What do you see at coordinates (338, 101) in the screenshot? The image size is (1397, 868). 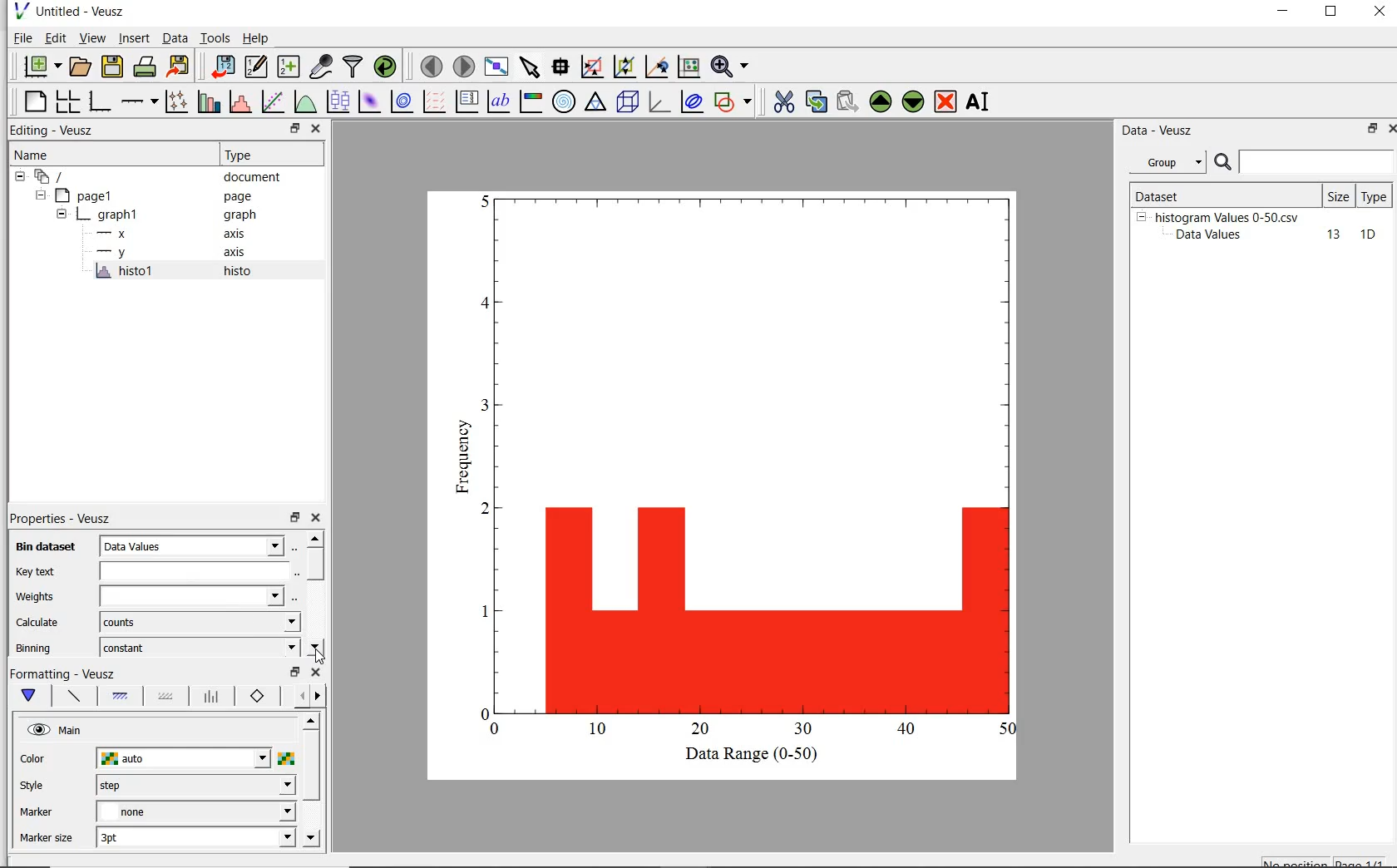 I see `plot boxplots` at bounding box center [338, 101].